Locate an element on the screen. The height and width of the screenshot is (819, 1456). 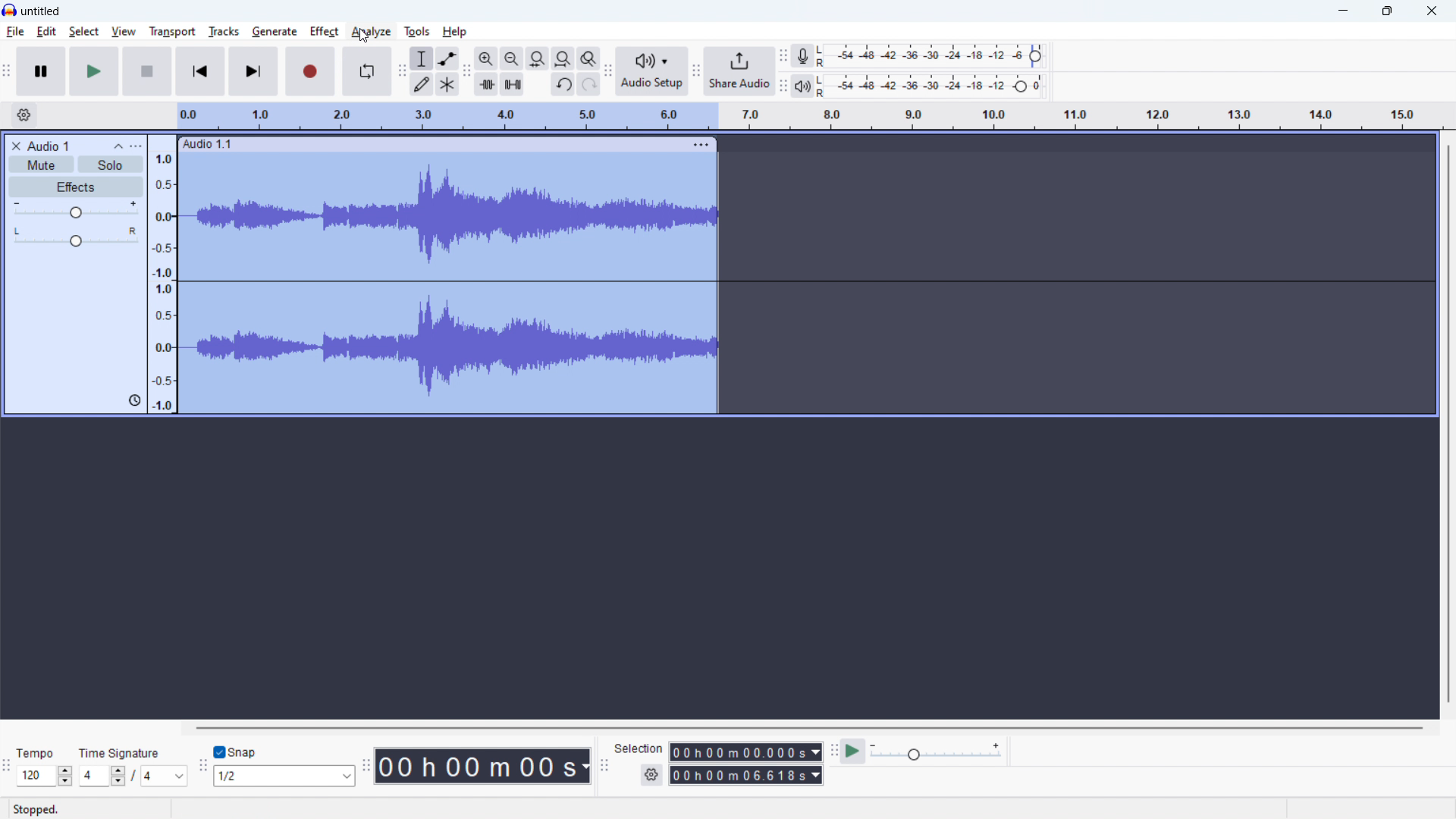
set time signature is located at coordinates (133, 776).